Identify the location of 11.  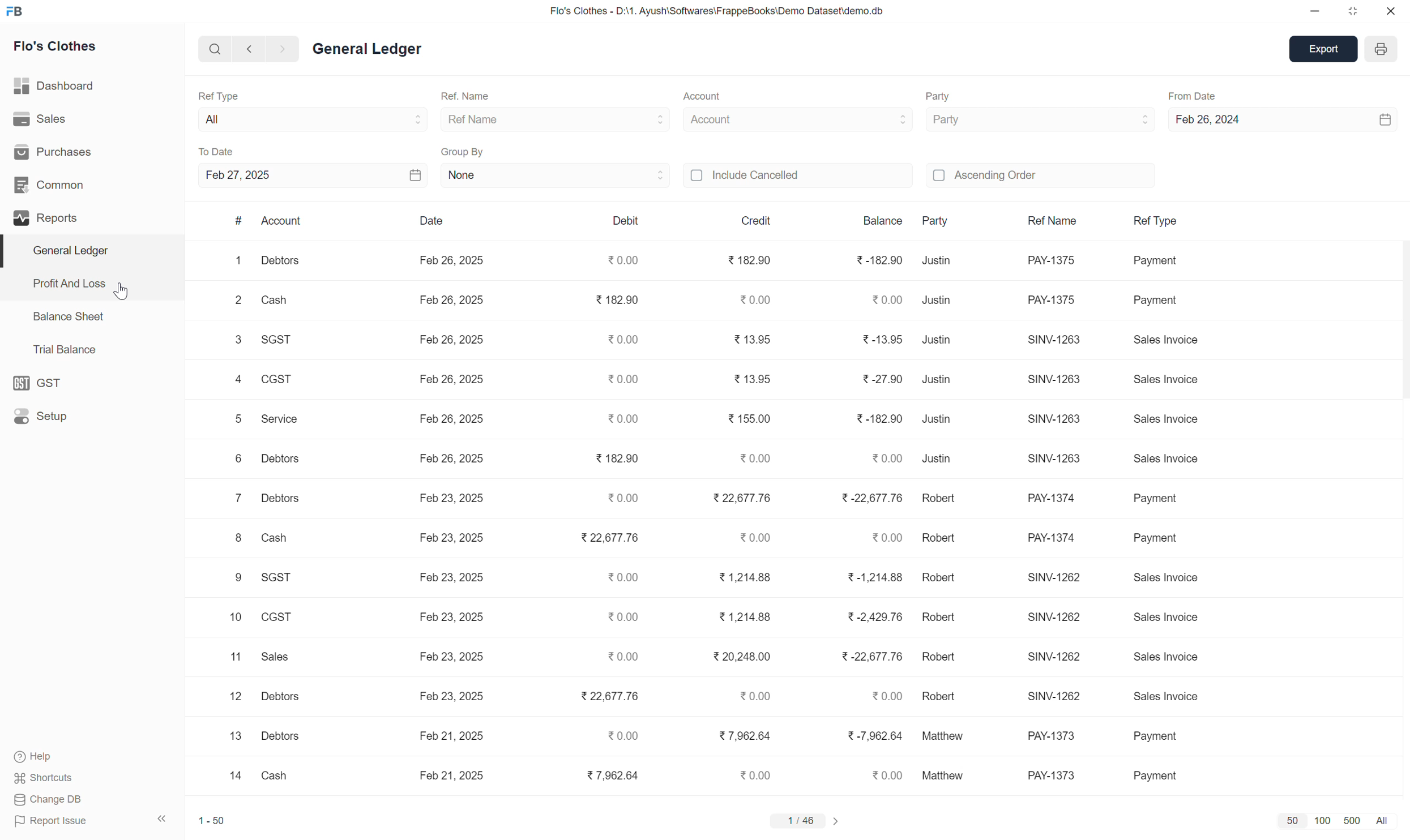
(228, 657).